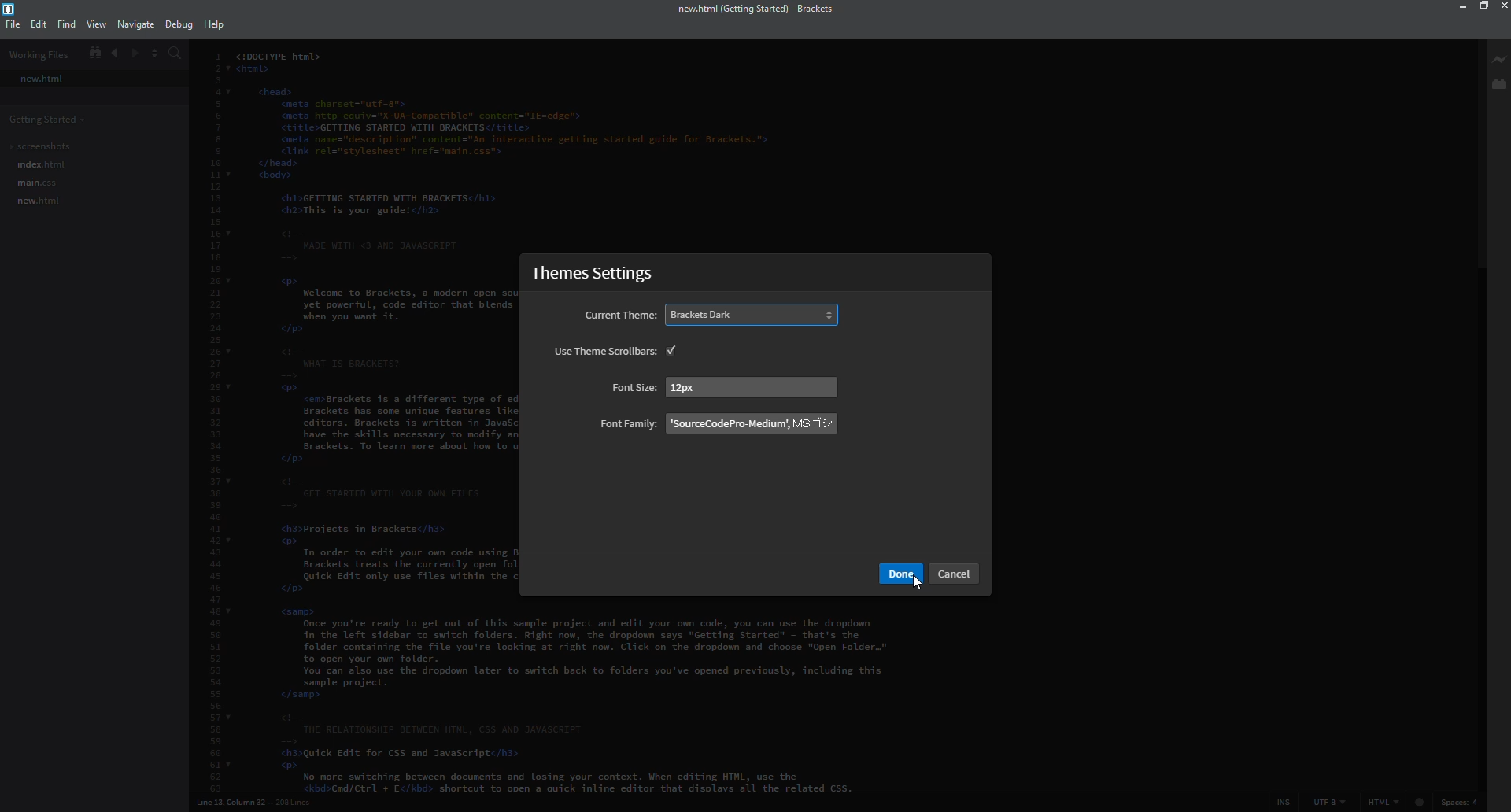 Image resolution: width=1511 pixels, height=812 pixels. Describe the element at coordinates (173, 54) in the screenshot. I see `search` at that location.